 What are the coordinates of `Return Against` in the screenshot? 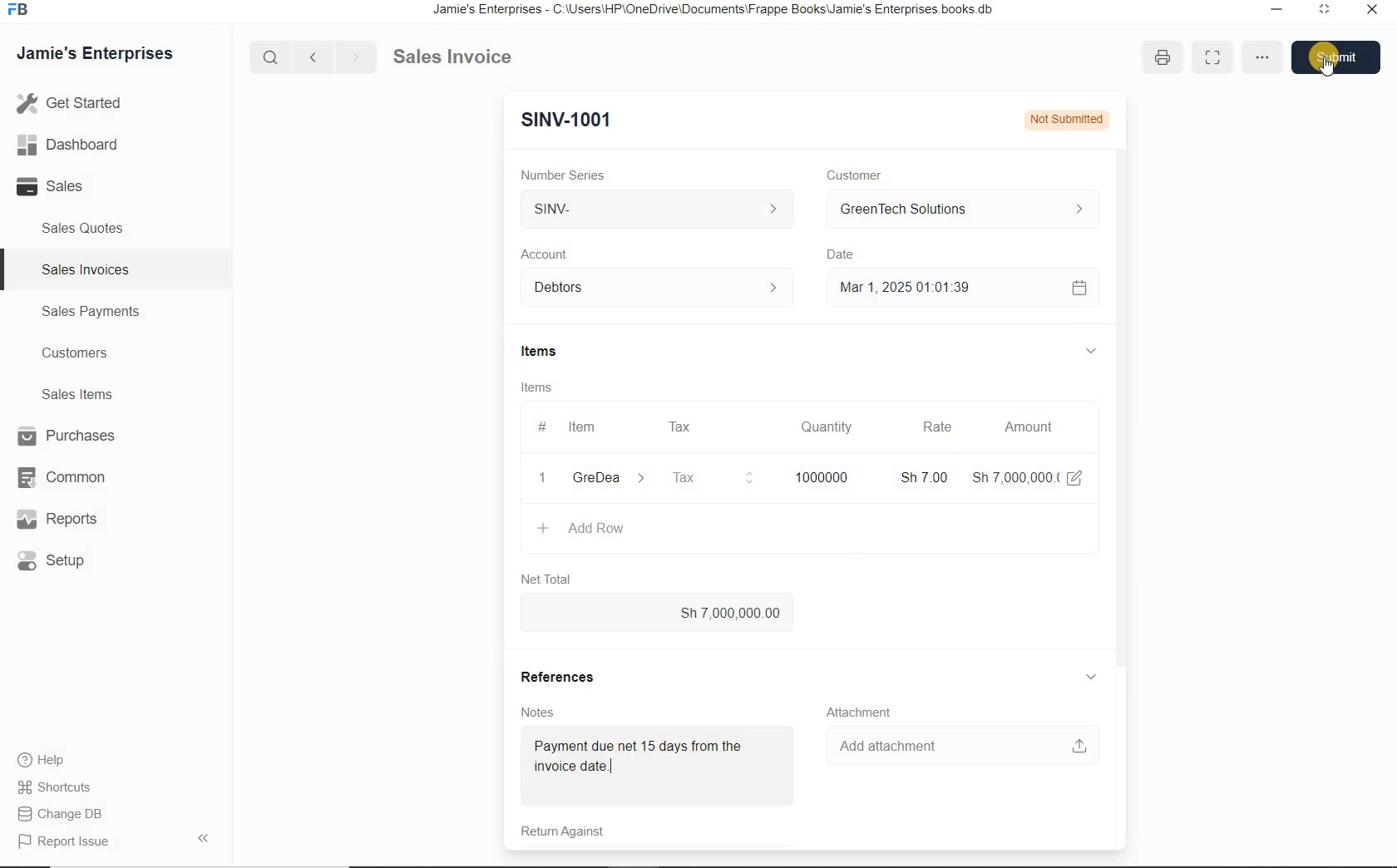 It's located at (559, 834).